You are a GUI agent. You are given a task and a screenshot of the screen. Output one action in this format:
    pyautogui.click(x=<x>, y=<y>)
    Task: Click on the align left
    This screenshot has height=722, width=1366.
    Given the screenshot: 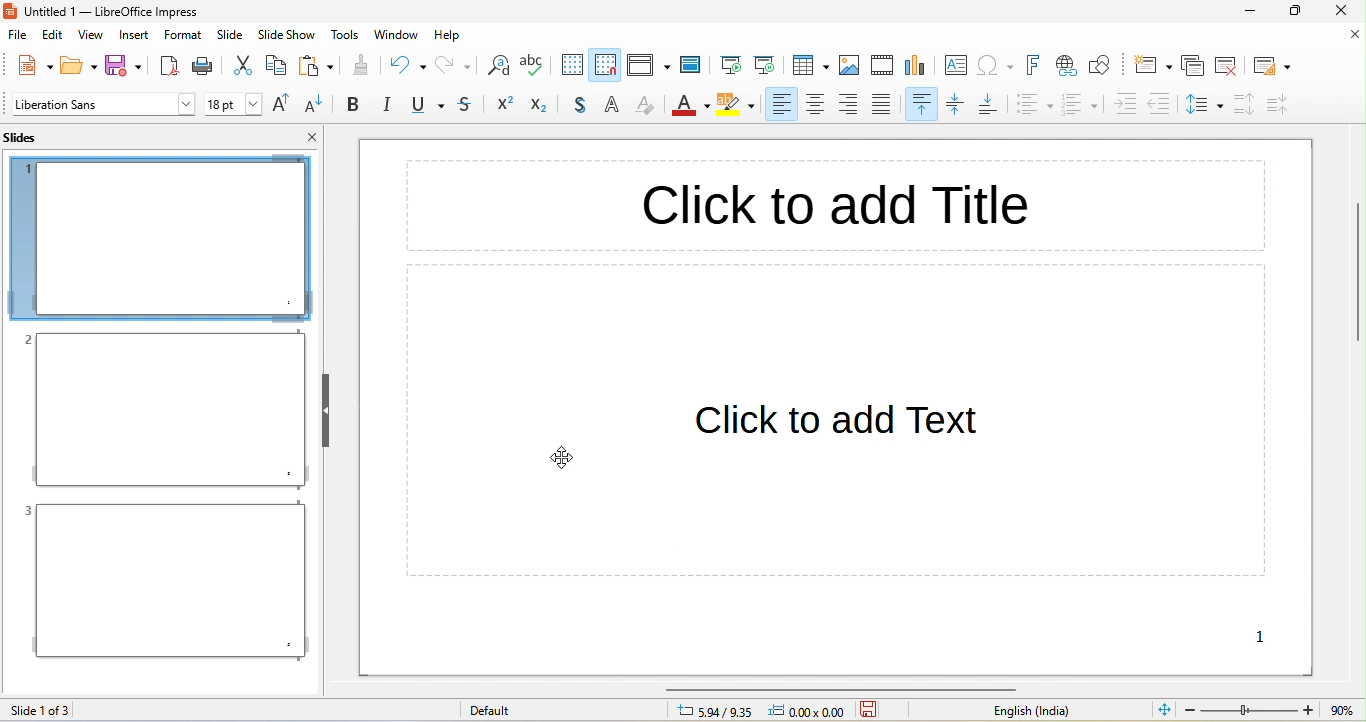 What is the action you would take?
    pyautogui.click(x=779, y=105)
    